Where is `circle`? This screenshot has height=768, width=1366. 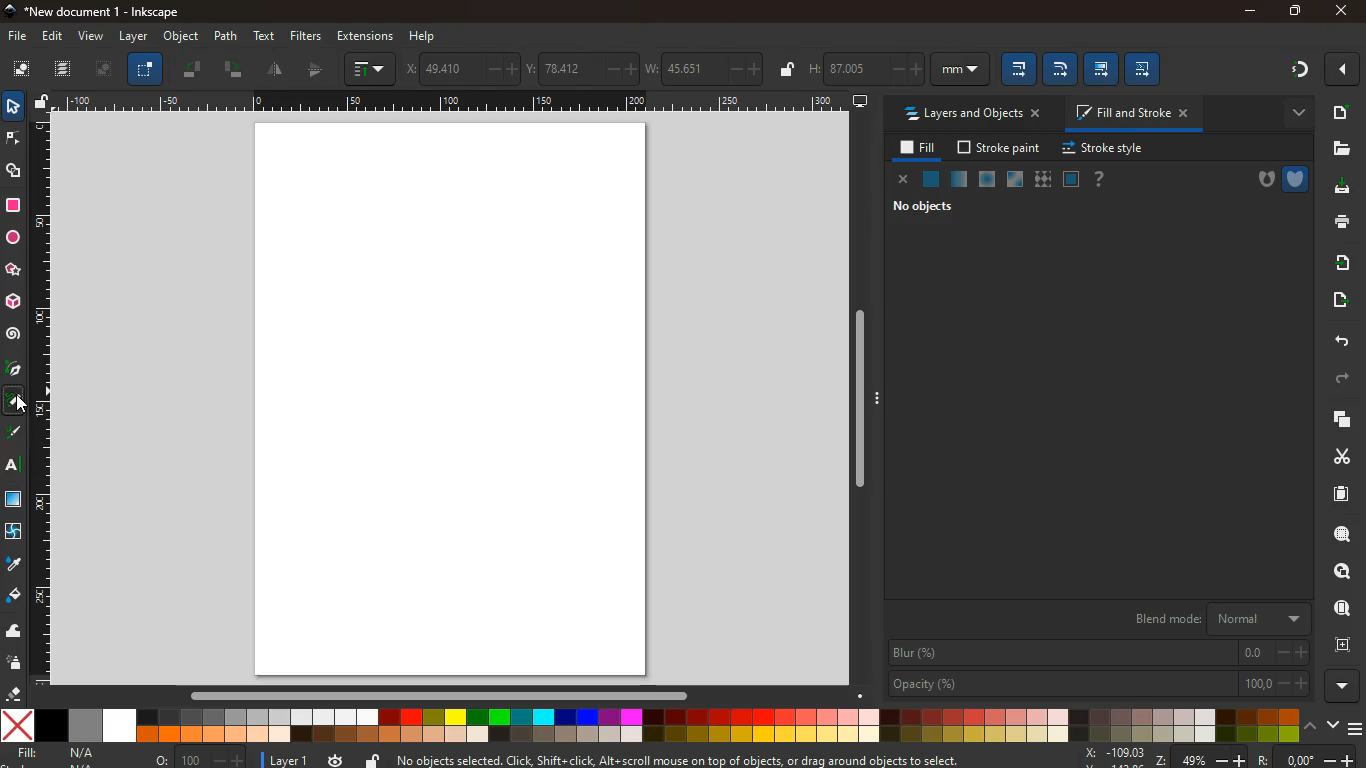
circle is located at coordinates (12, 238).